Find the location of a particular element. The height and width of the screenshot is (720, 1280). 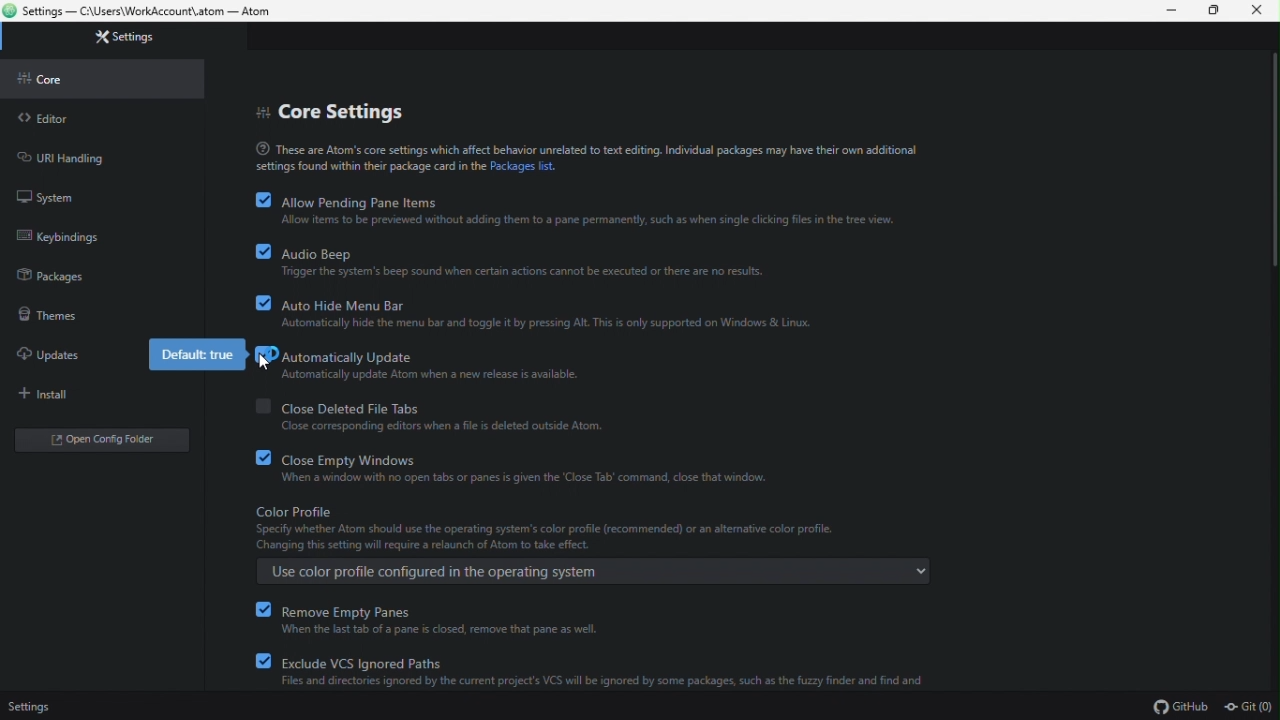

file name and file path is located at coordinates (153, 12).